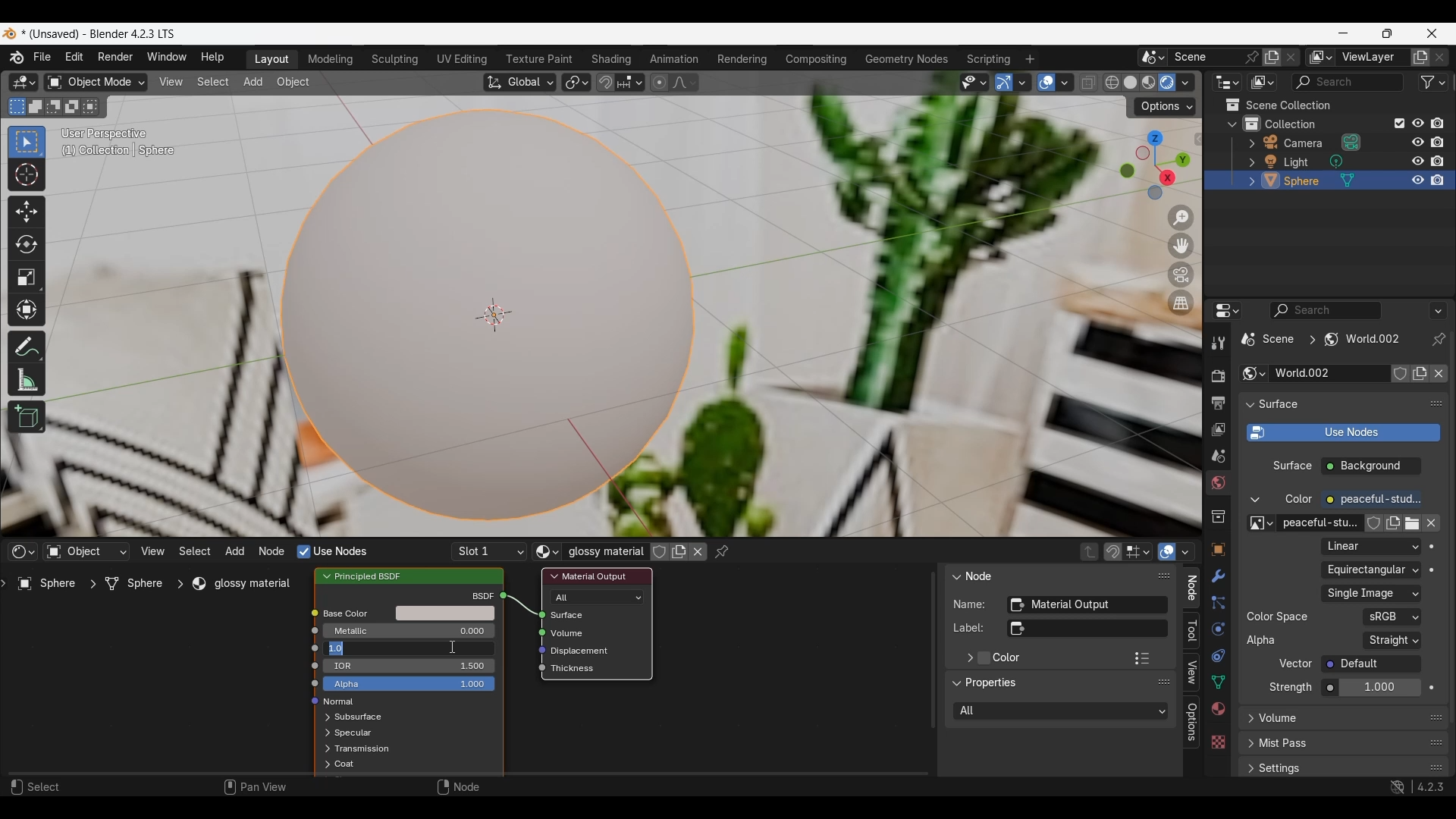 Image resolution: width=1456 pixels, height=819 pixels. What do you see at coordinates (1398, 787) in the screenshot?
I see `Show system preferences 'Network' panel to allow online access` at bounding box center [1398, 787].